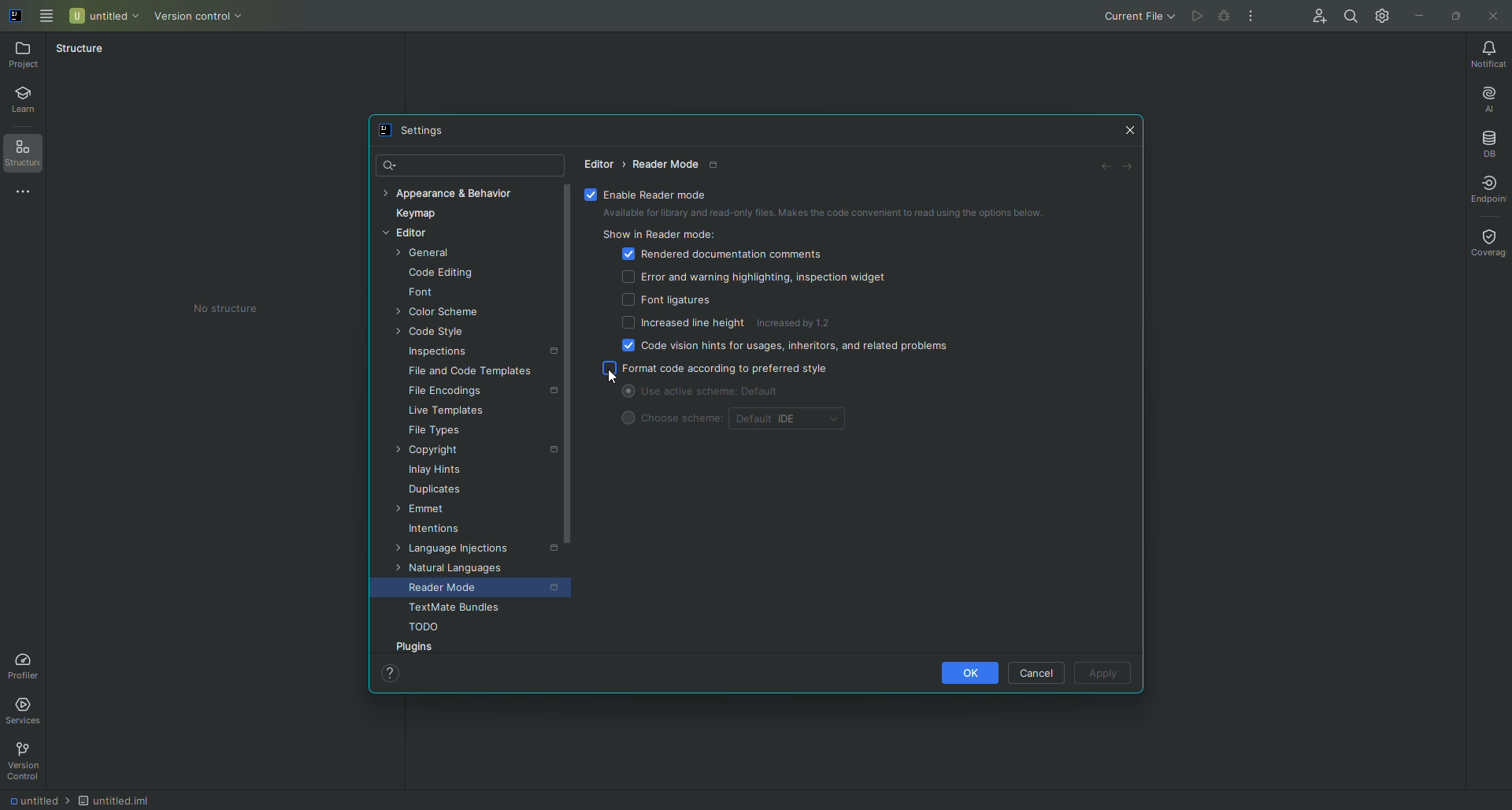 This screenshot has width=1512, height=810. I want to click on Back, so click(1104, 168).